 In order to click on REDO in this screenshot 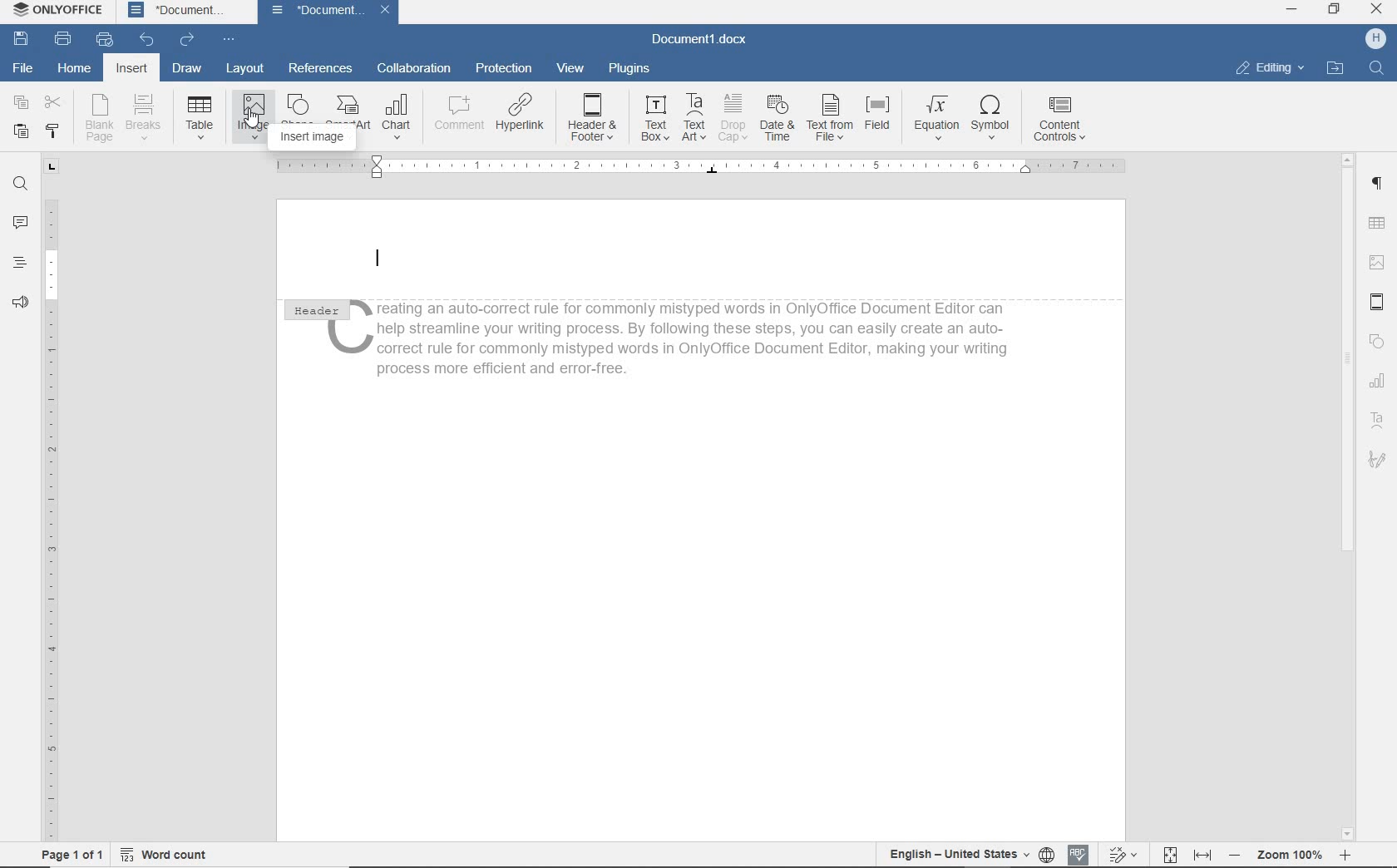, I will do `click(188, 40)`.